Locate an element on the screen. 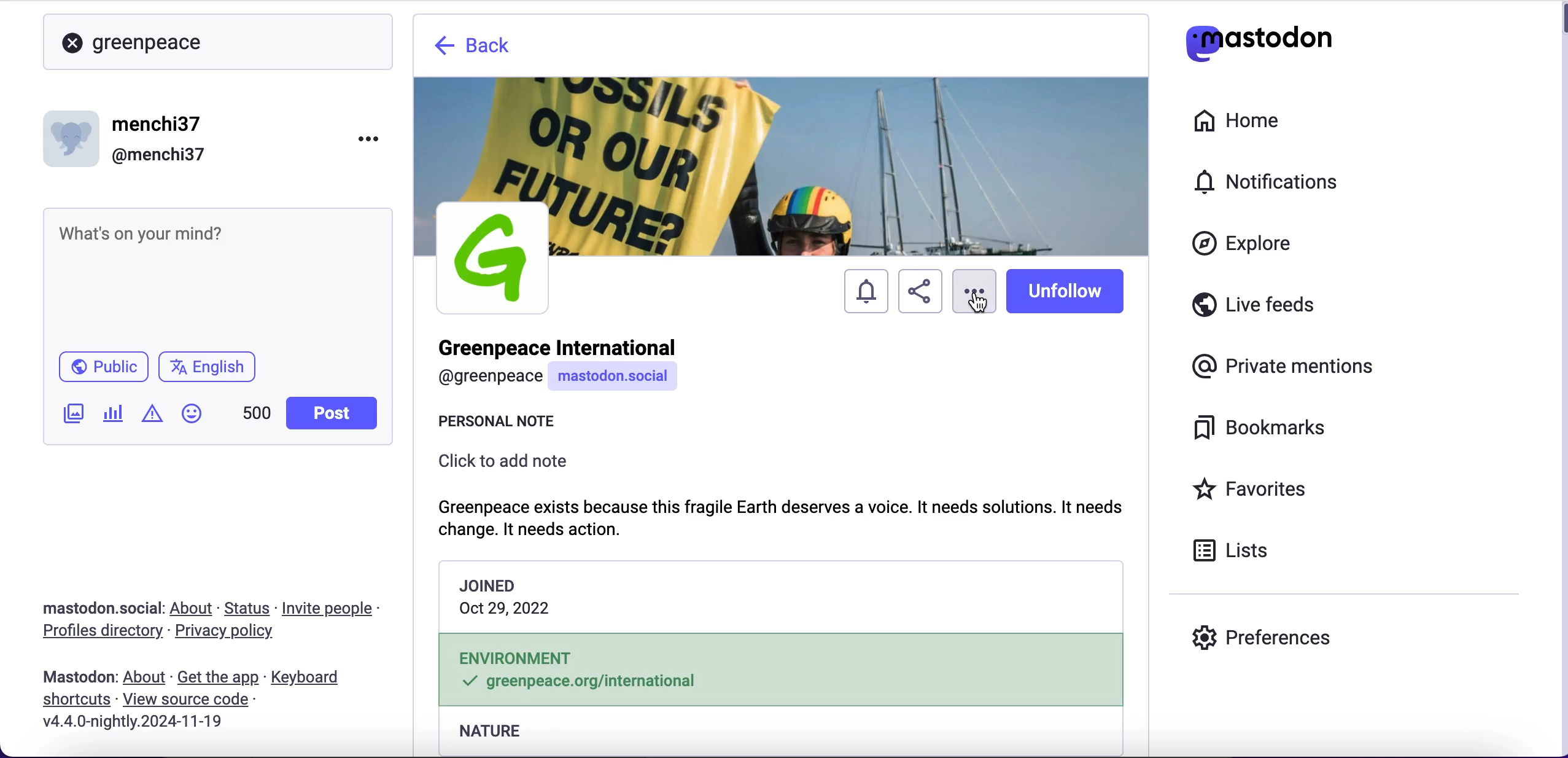 This screenshot has height=758, width=1568. explore is located at coordinates (1254, 244).